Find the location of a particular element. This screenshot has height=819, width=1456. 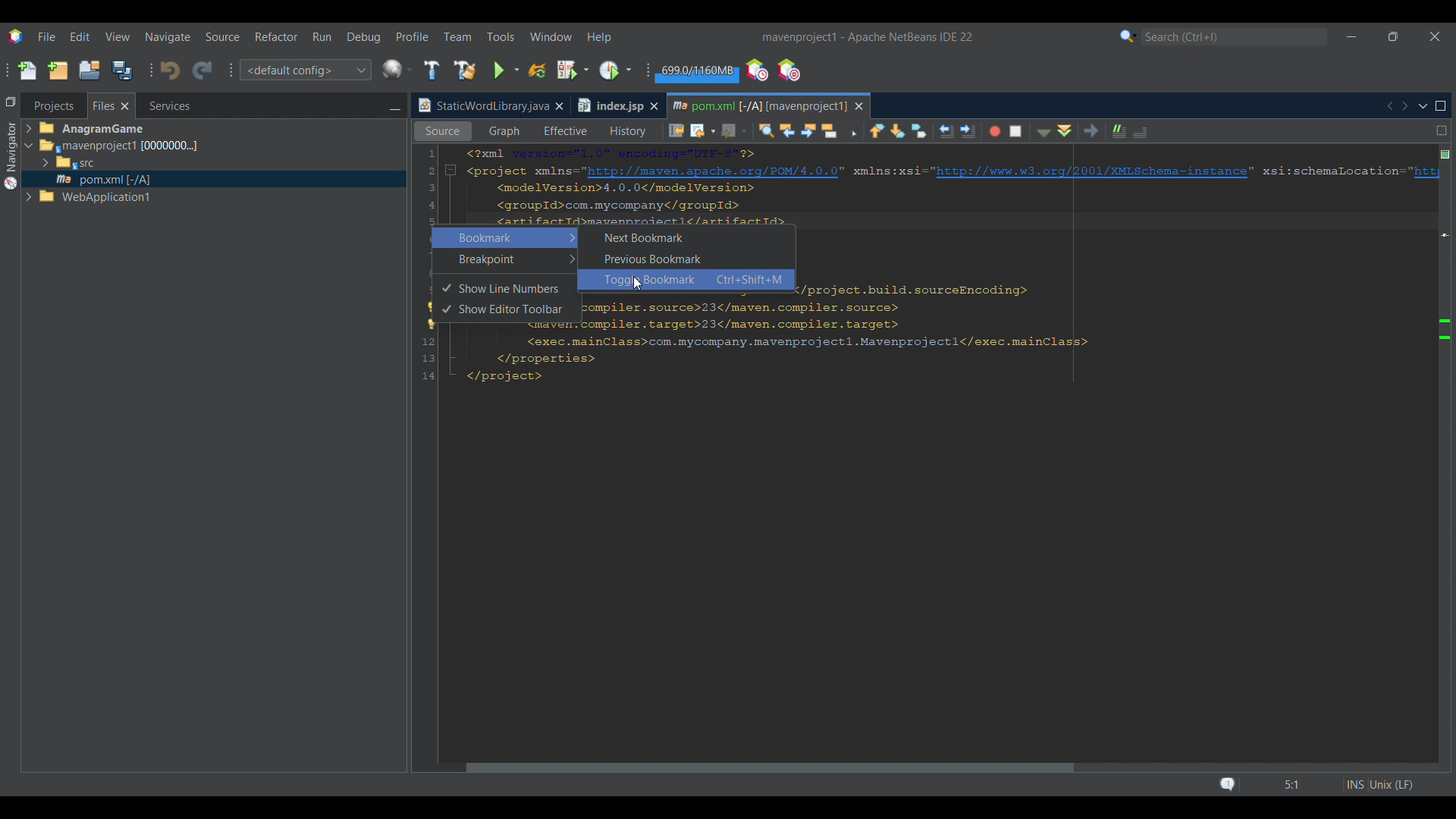

Refactor menu is located at coordinates (275, 36).